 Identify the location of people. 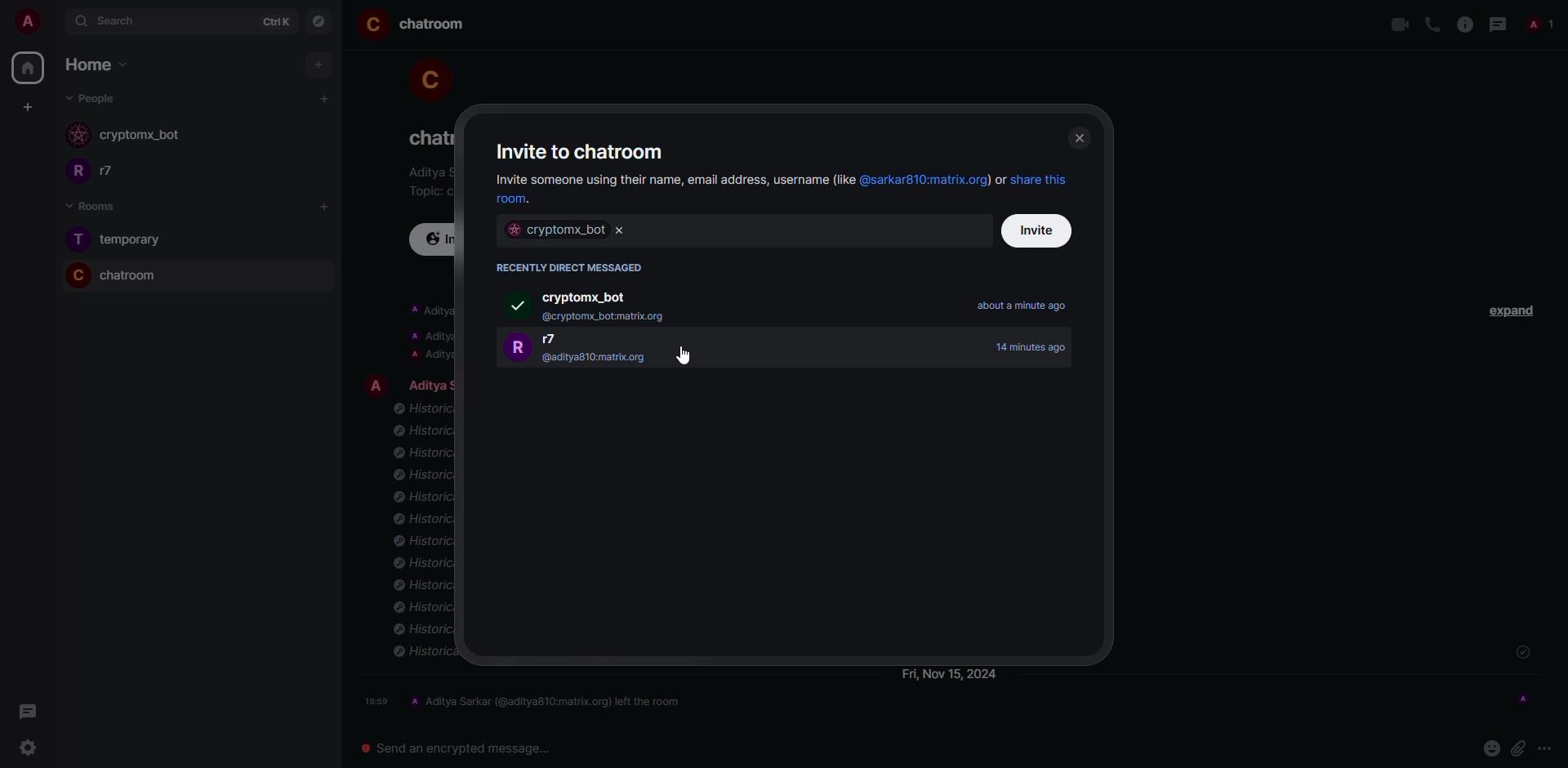
(561, 340).